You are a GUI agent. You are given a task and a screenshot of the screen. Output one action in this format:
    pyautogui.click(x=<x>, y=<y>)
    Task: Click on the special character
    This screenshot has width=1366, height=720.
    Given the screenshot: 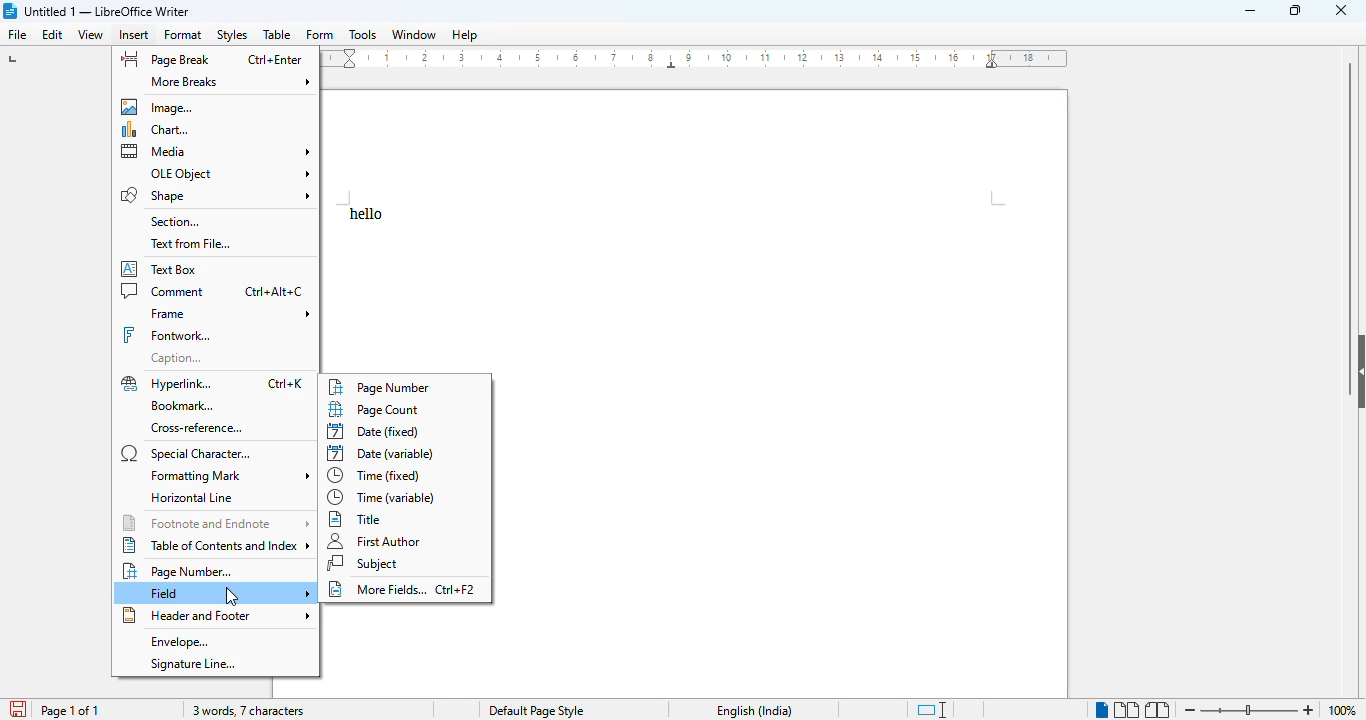 What is the action you would take?
    pyautogui.click(x=190, y=454)
    